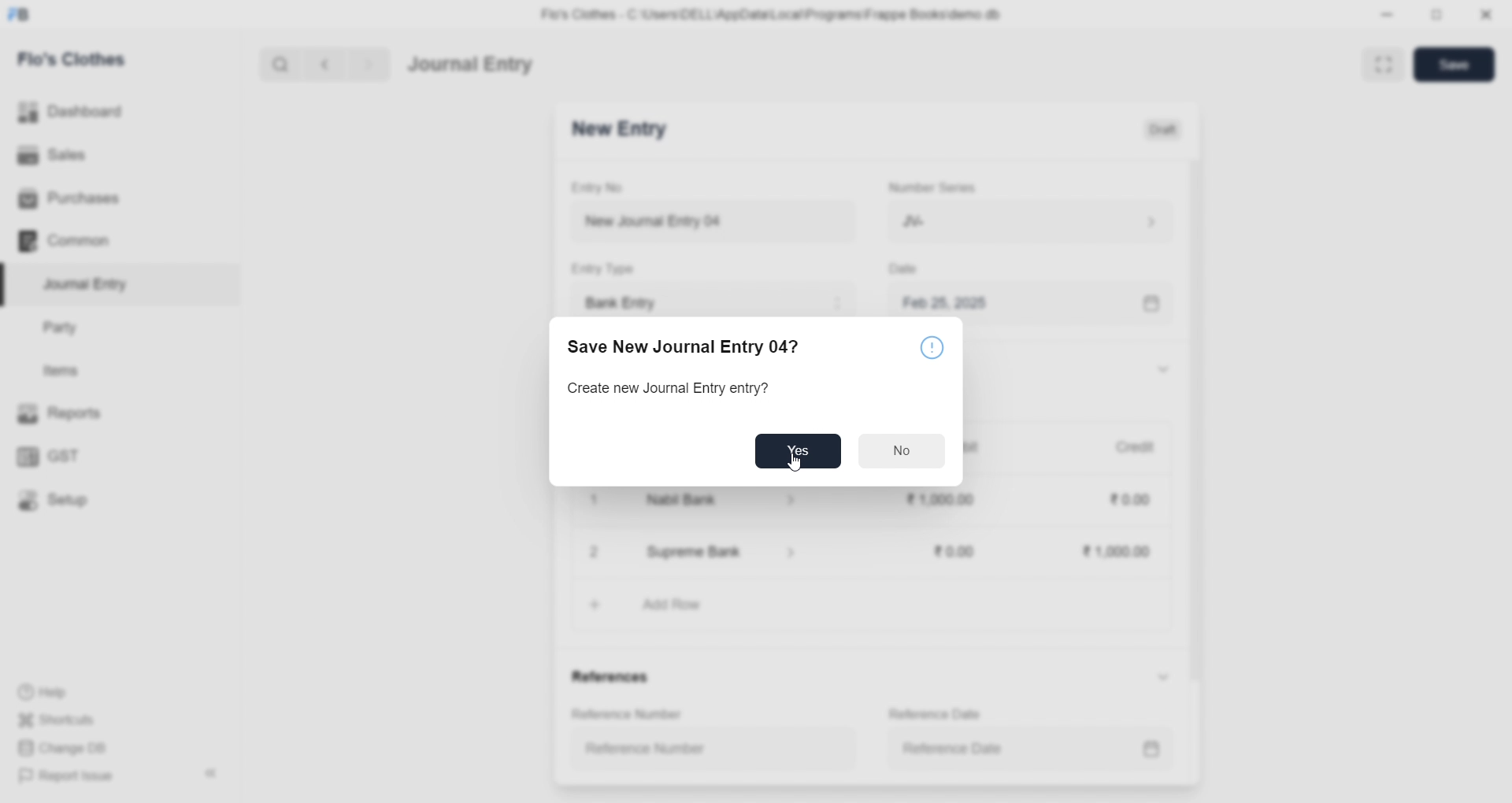 The height and width of the screenshot is (803, 1512). What do you see at coordinates (902, 451) in the screenshot?
I see `No` at bounding box center [902, 451].